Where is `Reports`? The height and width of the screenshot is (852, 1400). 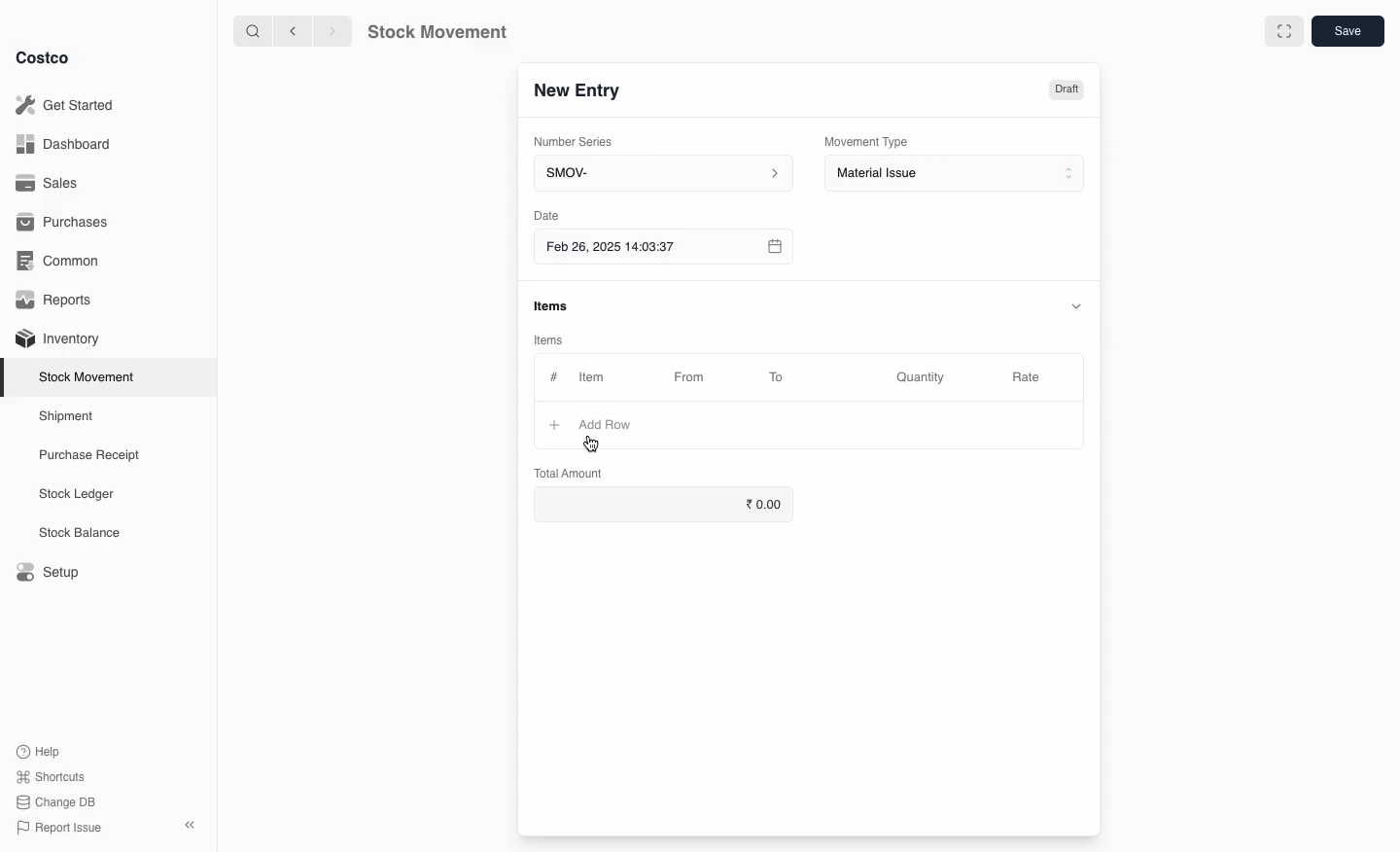 Reports is located at coordinates (58, 300).